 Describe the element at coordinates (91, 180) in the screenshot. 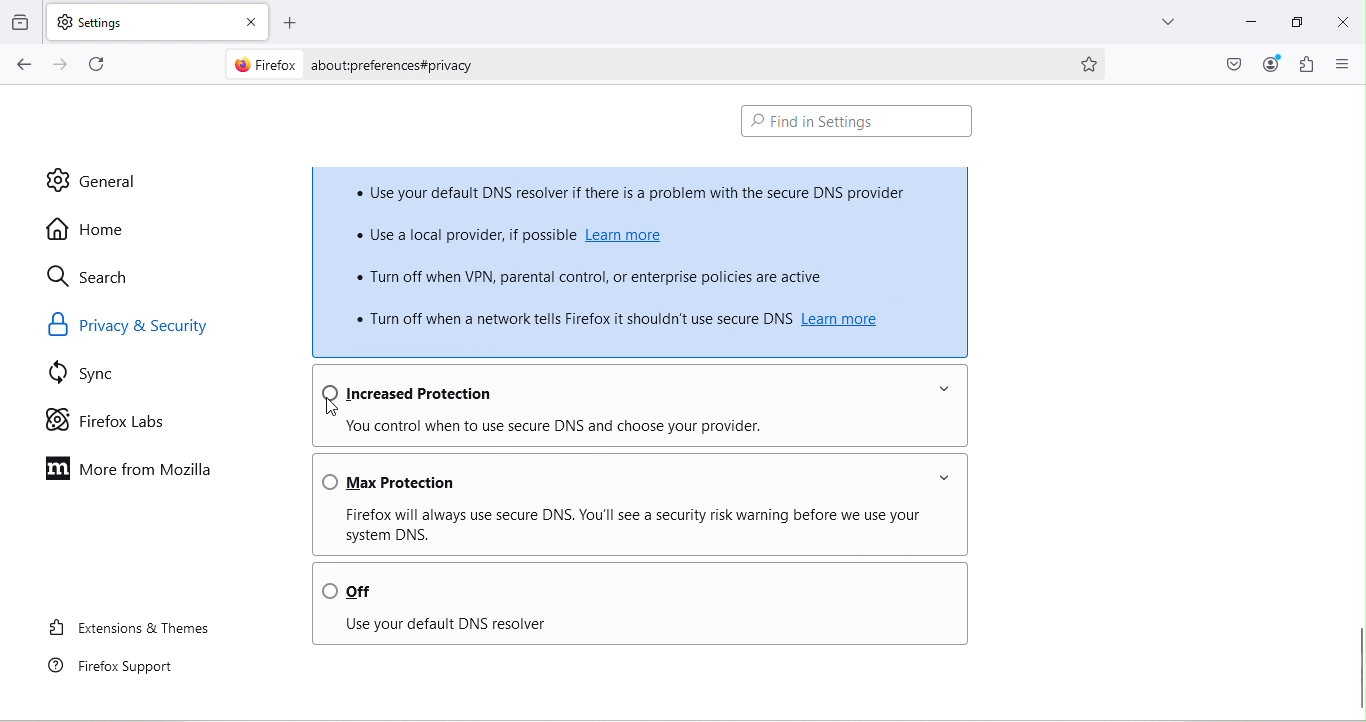

I see `General` at that location.